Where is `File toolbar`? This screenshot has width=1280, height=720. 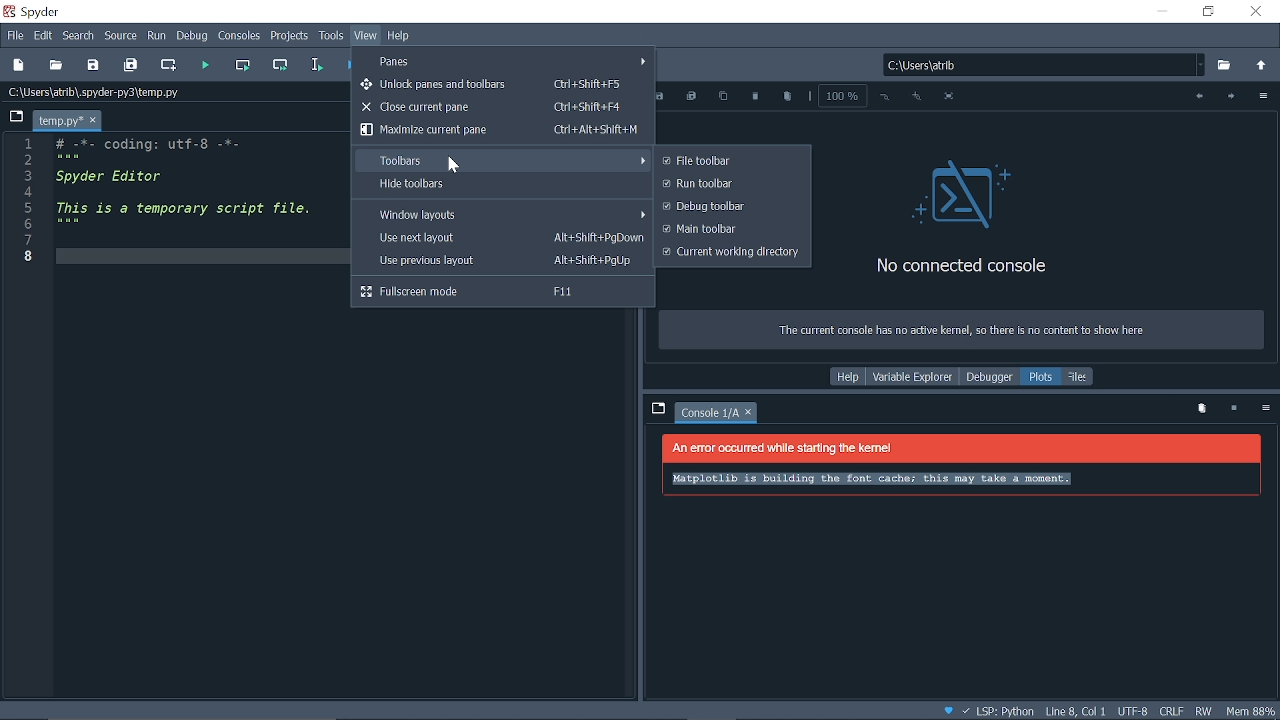 File toolbar is located at coordinates (729, 161).